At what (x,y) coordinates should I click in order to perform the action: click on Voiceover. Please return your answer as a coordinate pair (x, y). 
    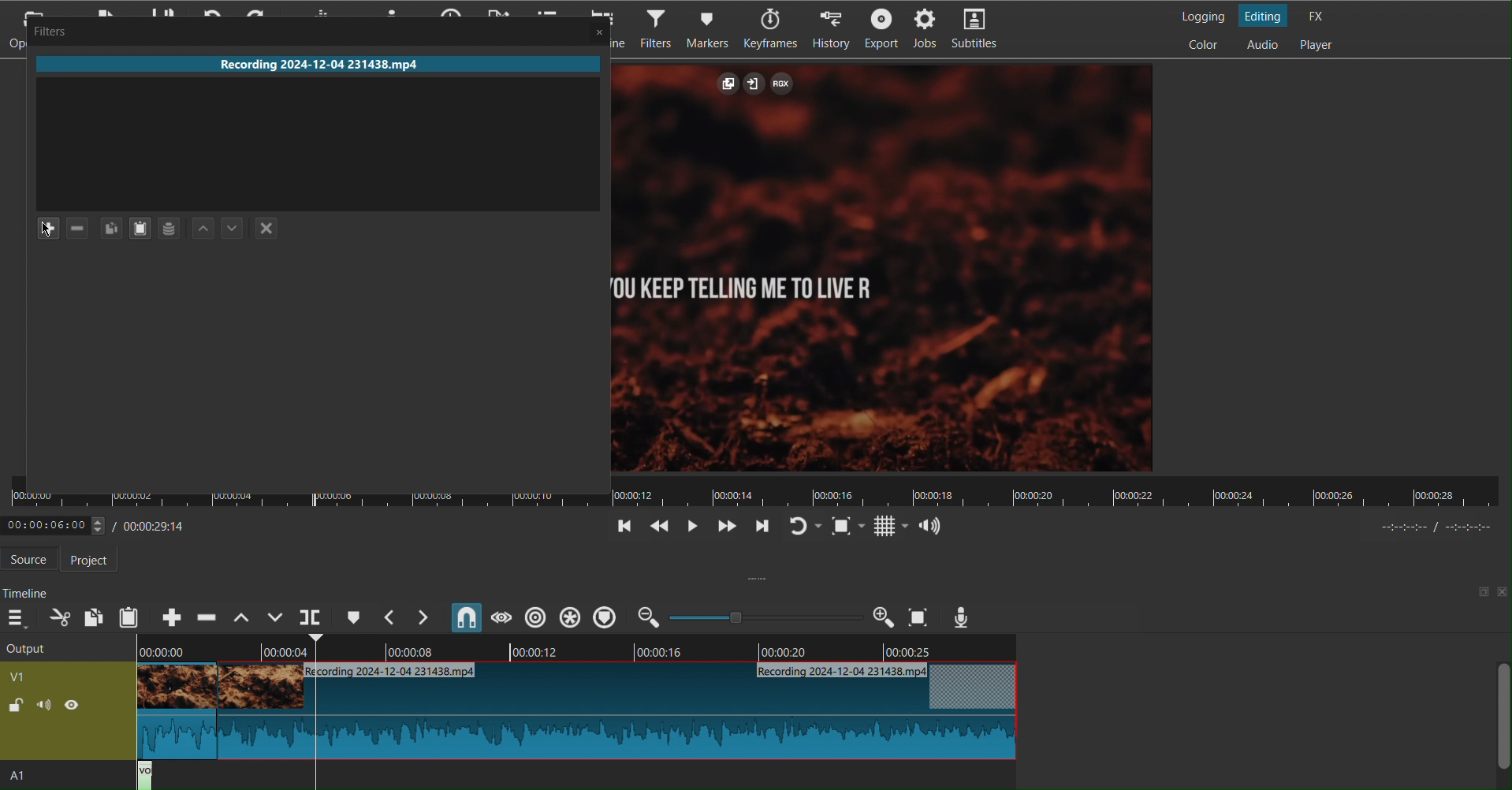
    Looking at the image, I should click on (963, 617).